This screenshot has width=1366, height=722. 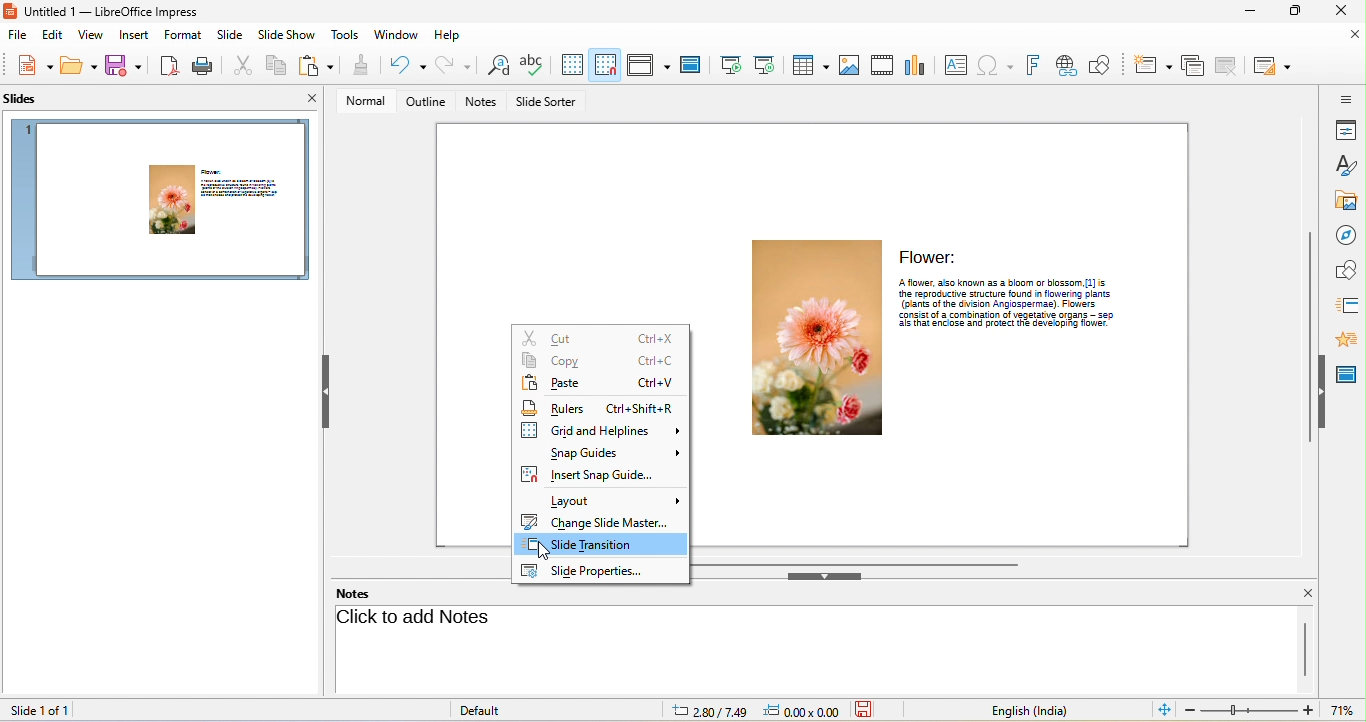 What do you see at coordinates (997, 63) in the screenshot?
I see `special character` at bounding box center [997, 63].